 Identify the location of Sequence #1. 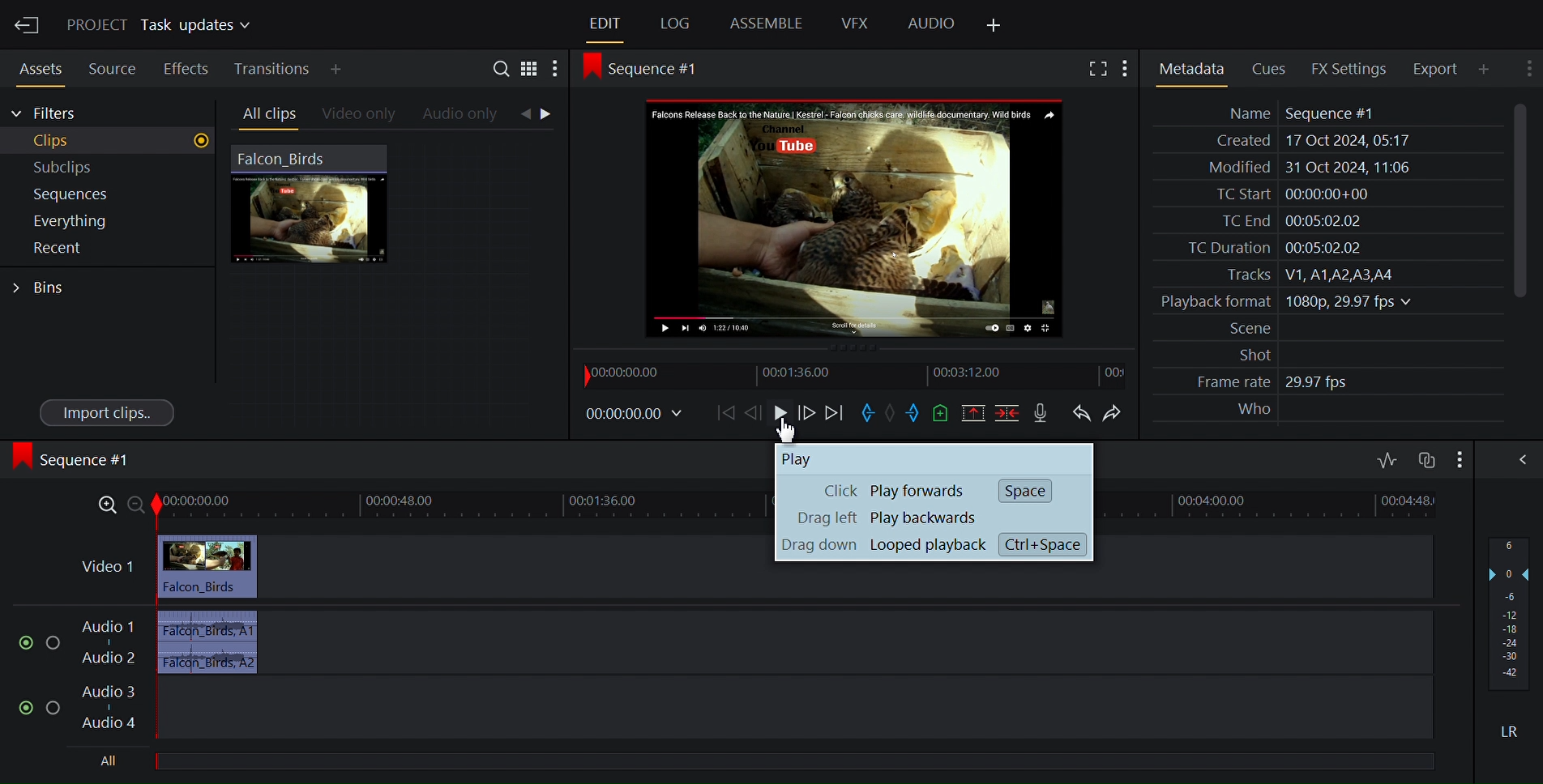
(75, 462).